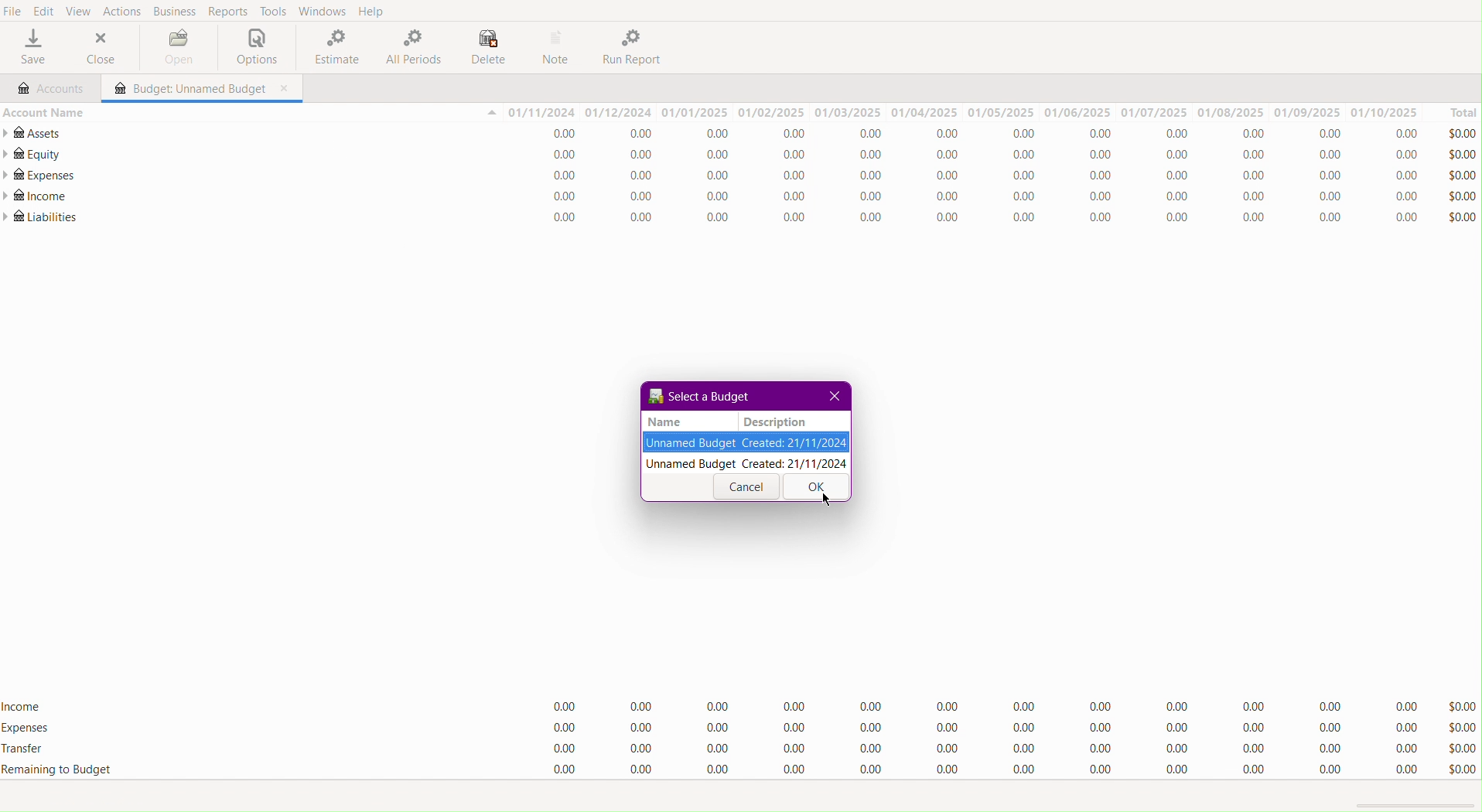  What do you see at coordinates (825, 499) in the screenshot?
I see `cursor` at bounding box center [825, 499].